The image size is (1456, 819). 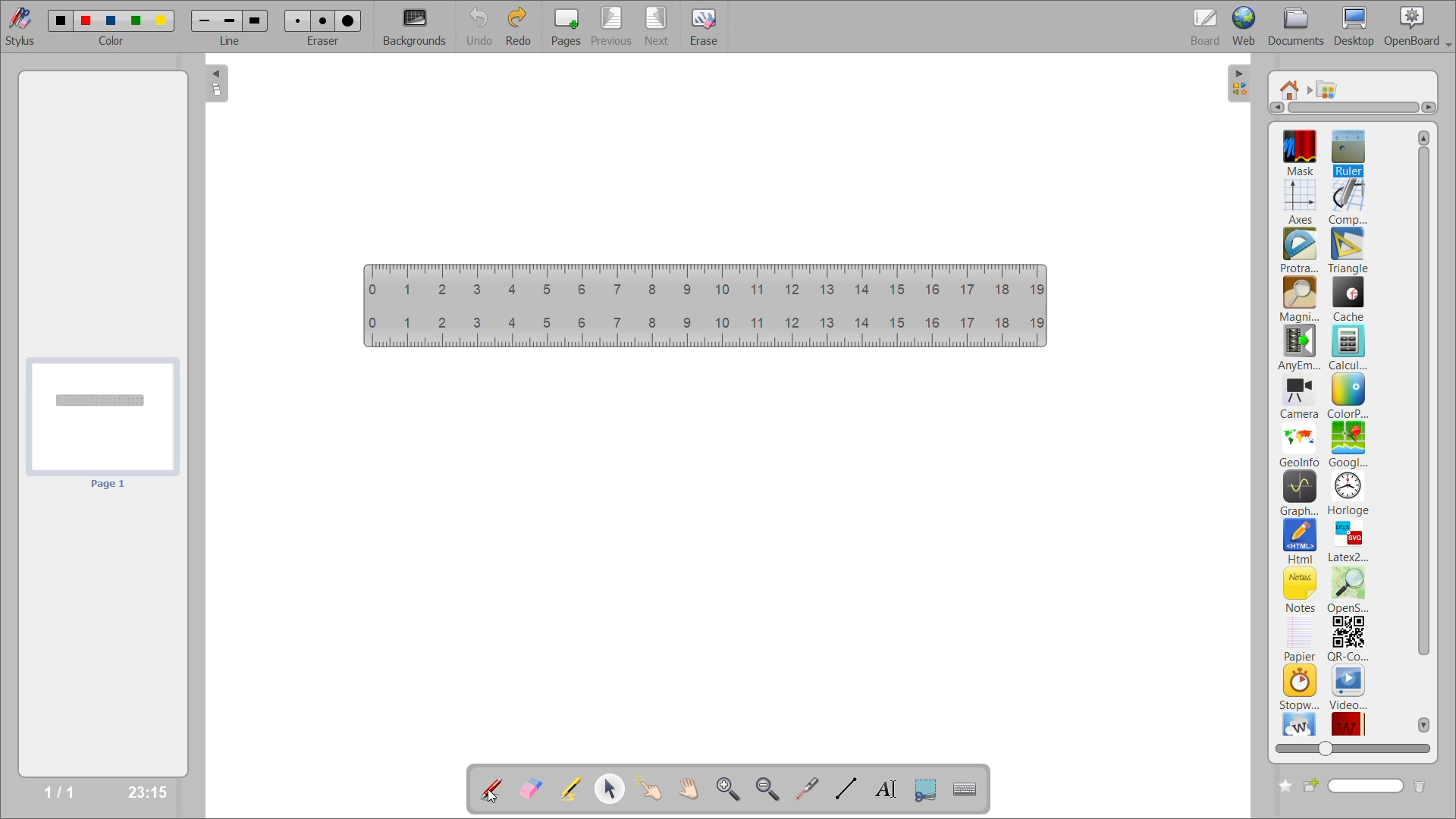 I want to click on openstreetmap, so click(x=1351, y=591).